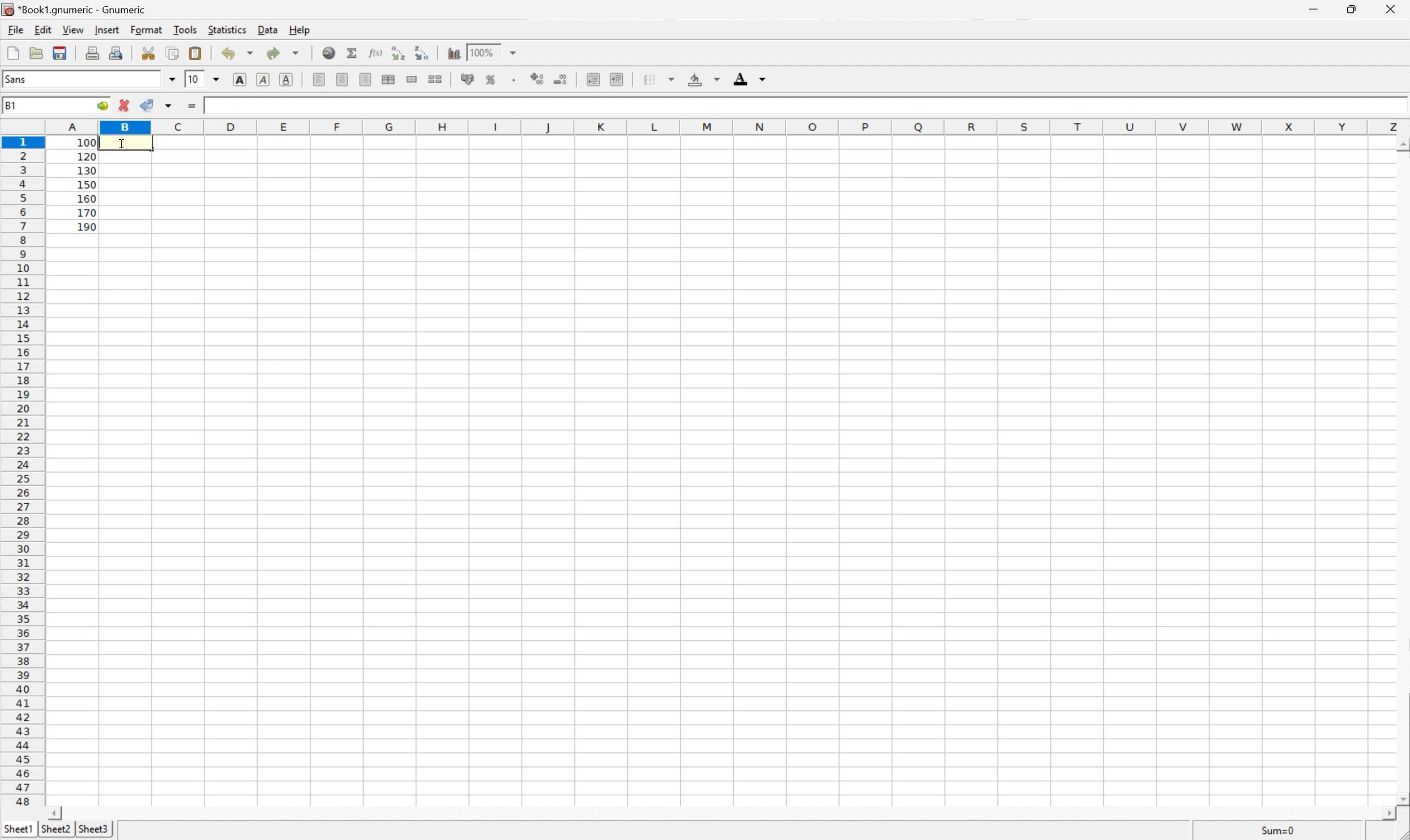  I want to click on 190, so click(87, 226).